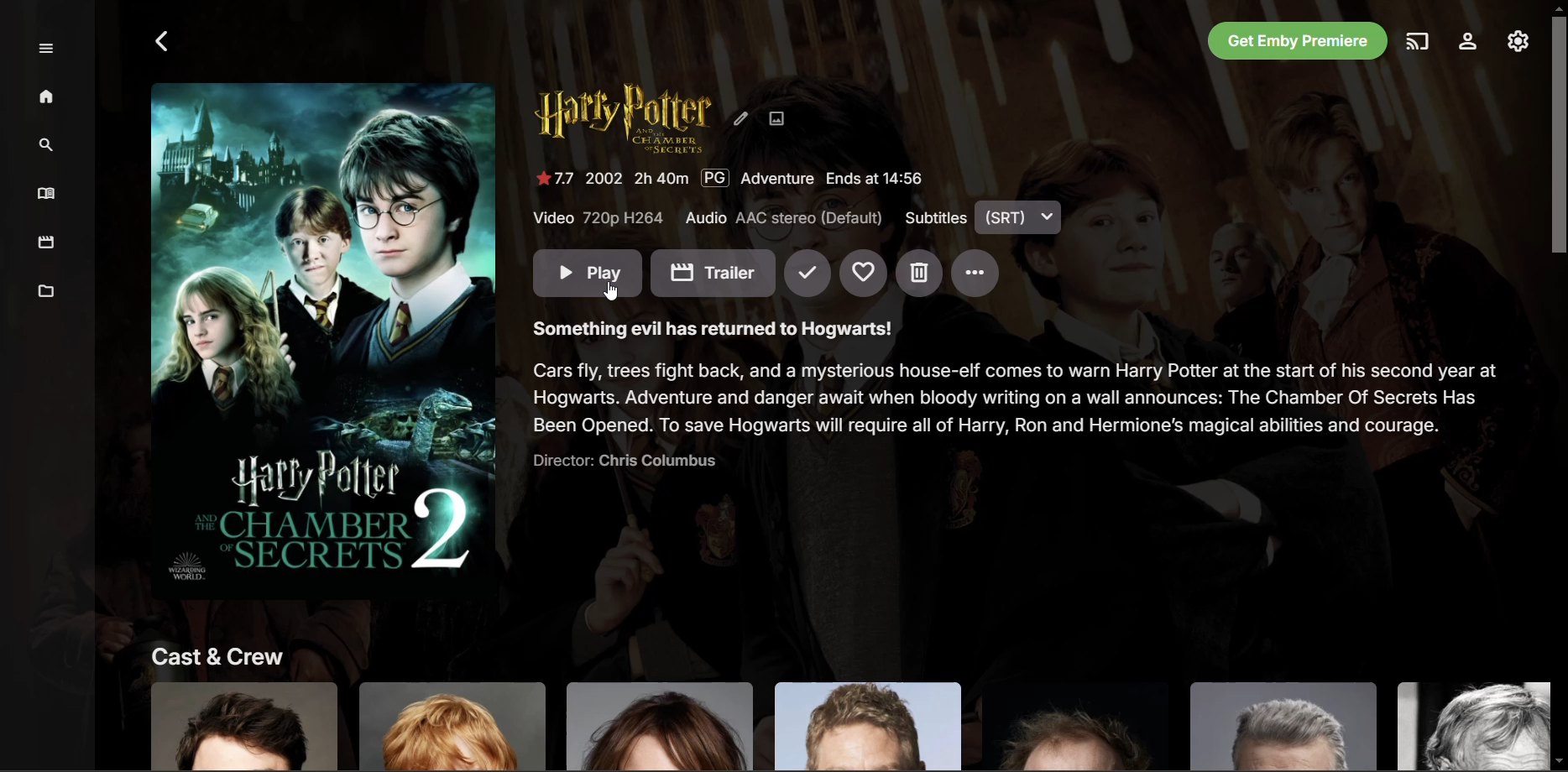  Describe the element at coordinates (598, 219) in the screenshot. I see `Video` at that location.